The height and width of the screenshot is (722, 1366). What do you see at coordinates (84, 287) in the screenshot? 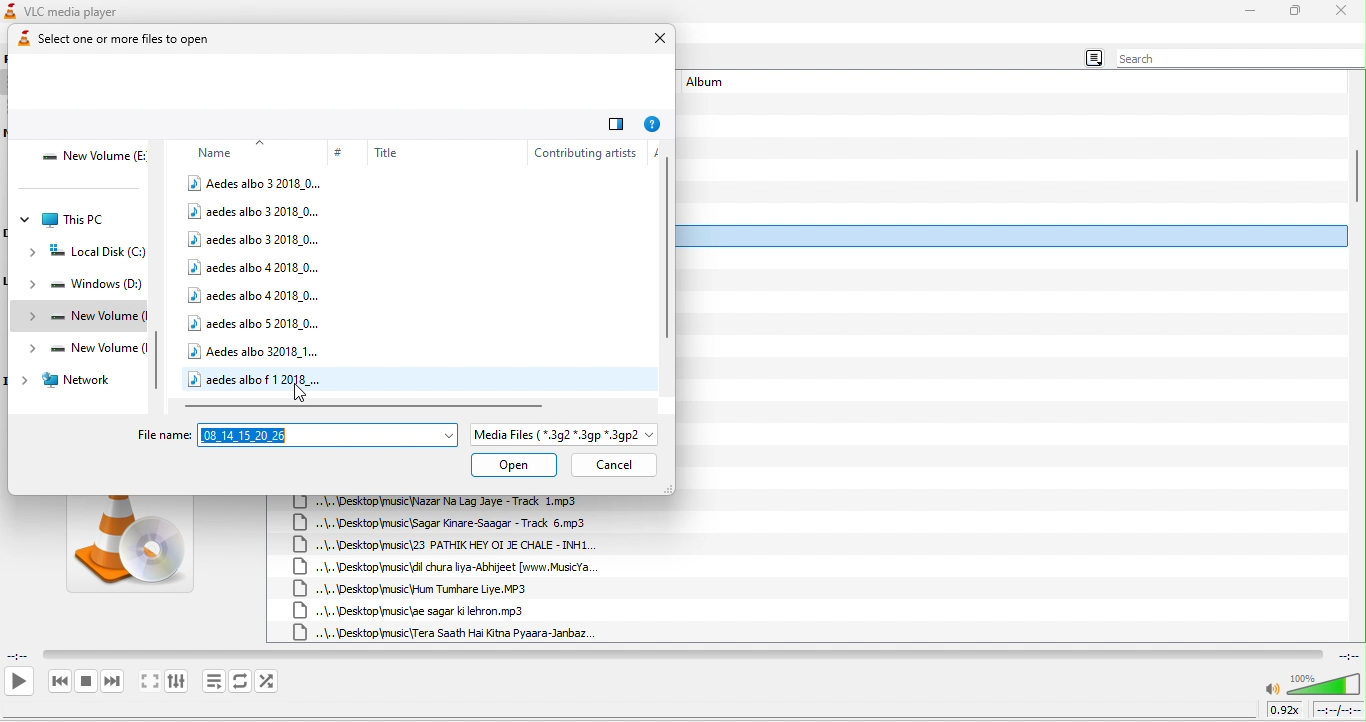
I see `windows (D:)` at bounding box center [84, 287].